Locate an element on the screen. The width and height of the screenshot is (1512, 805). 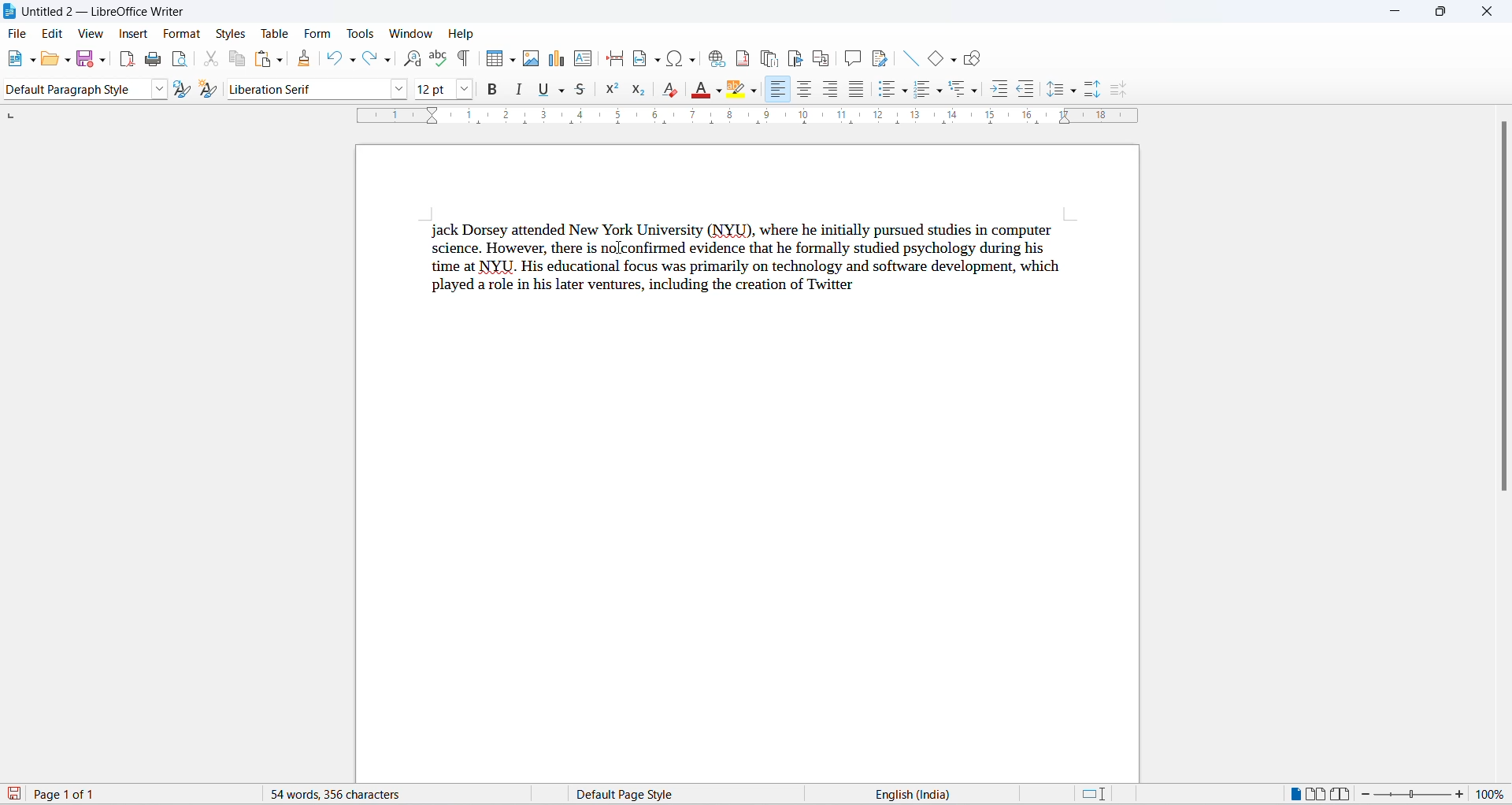
update selected style is located at coordinates (182, 89).